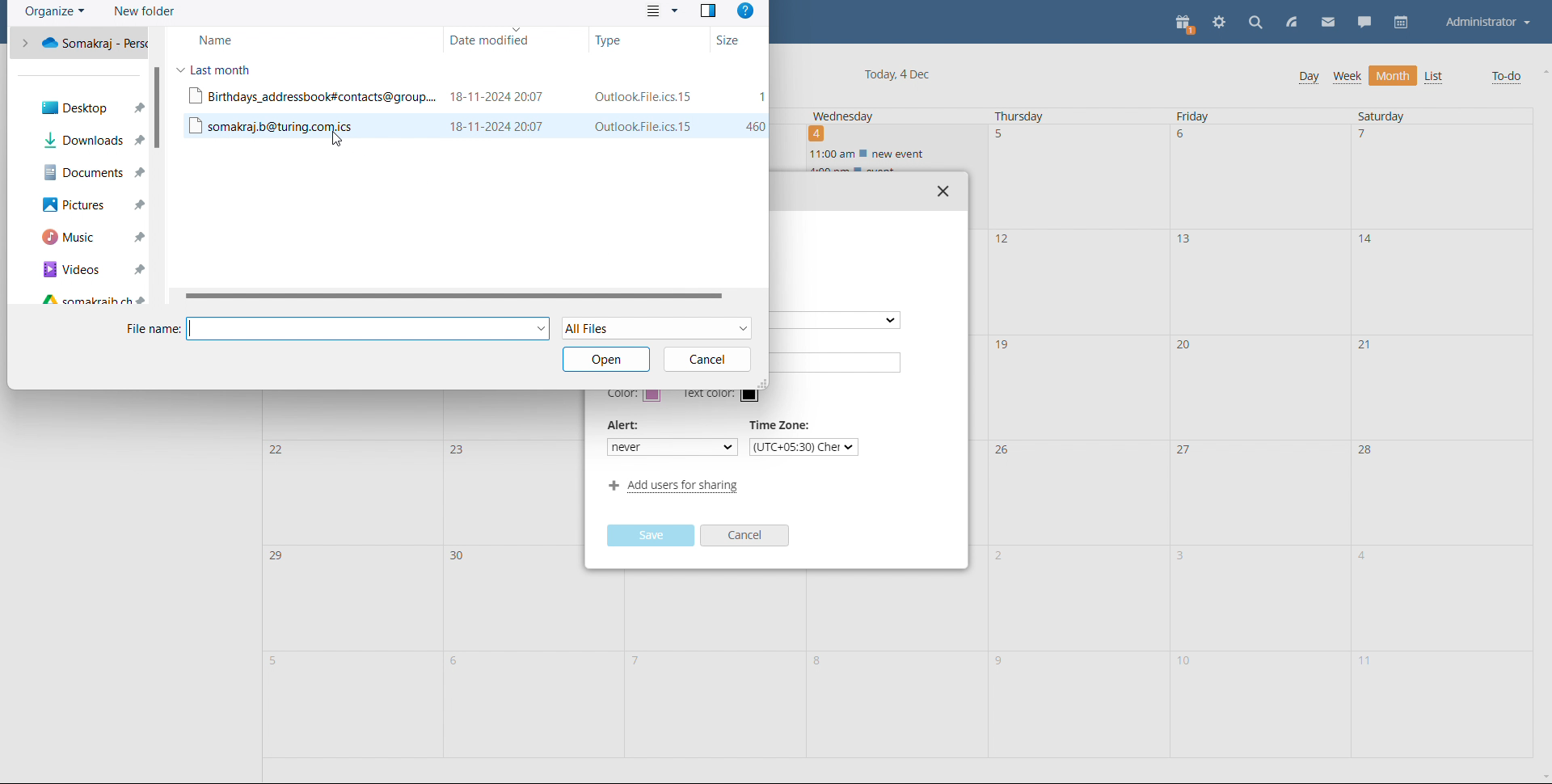  I want to click on name, so click(278, 37).